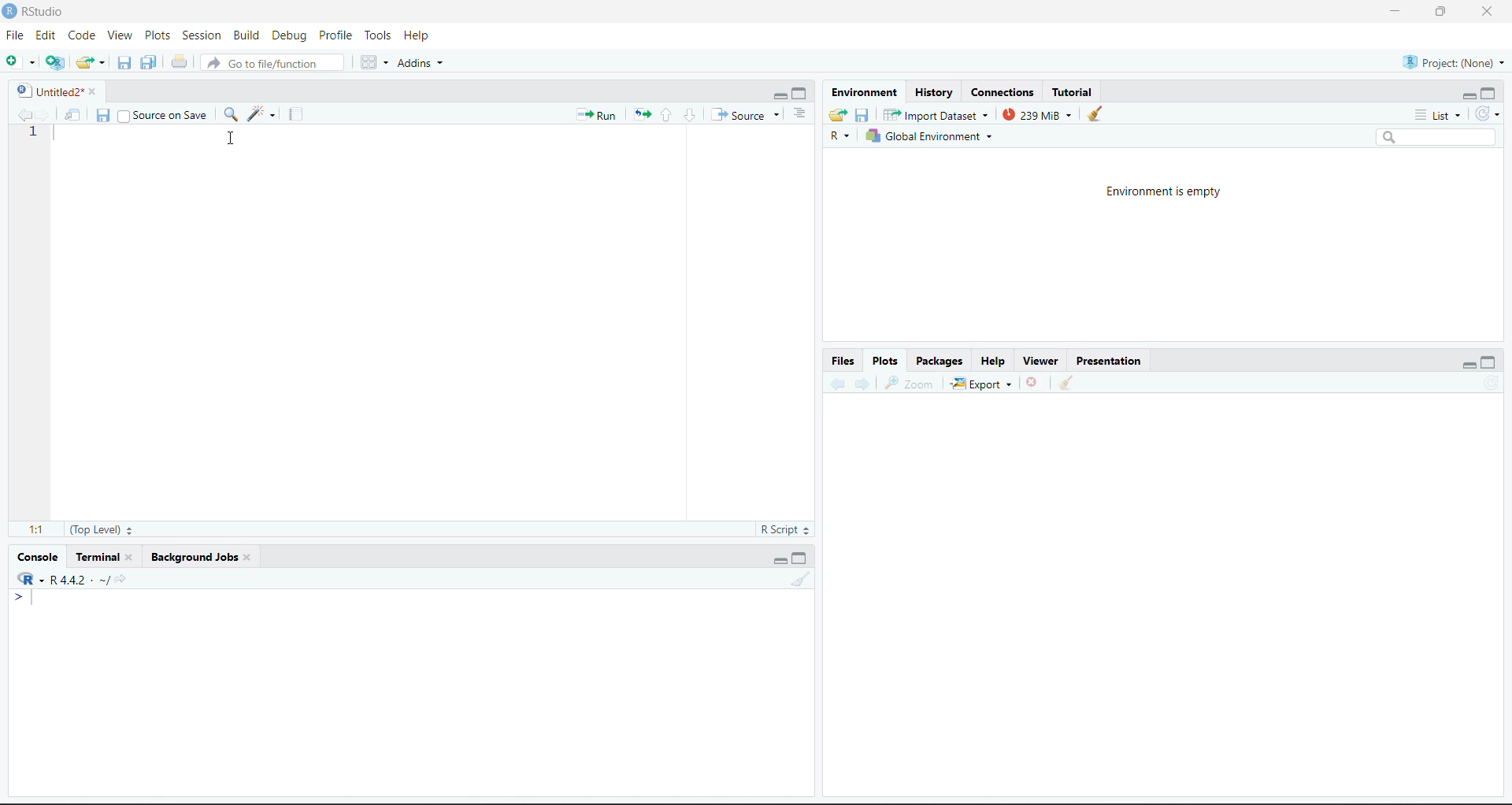 The image size is (1512, 805). I want to click on Code, so click(85, 34).